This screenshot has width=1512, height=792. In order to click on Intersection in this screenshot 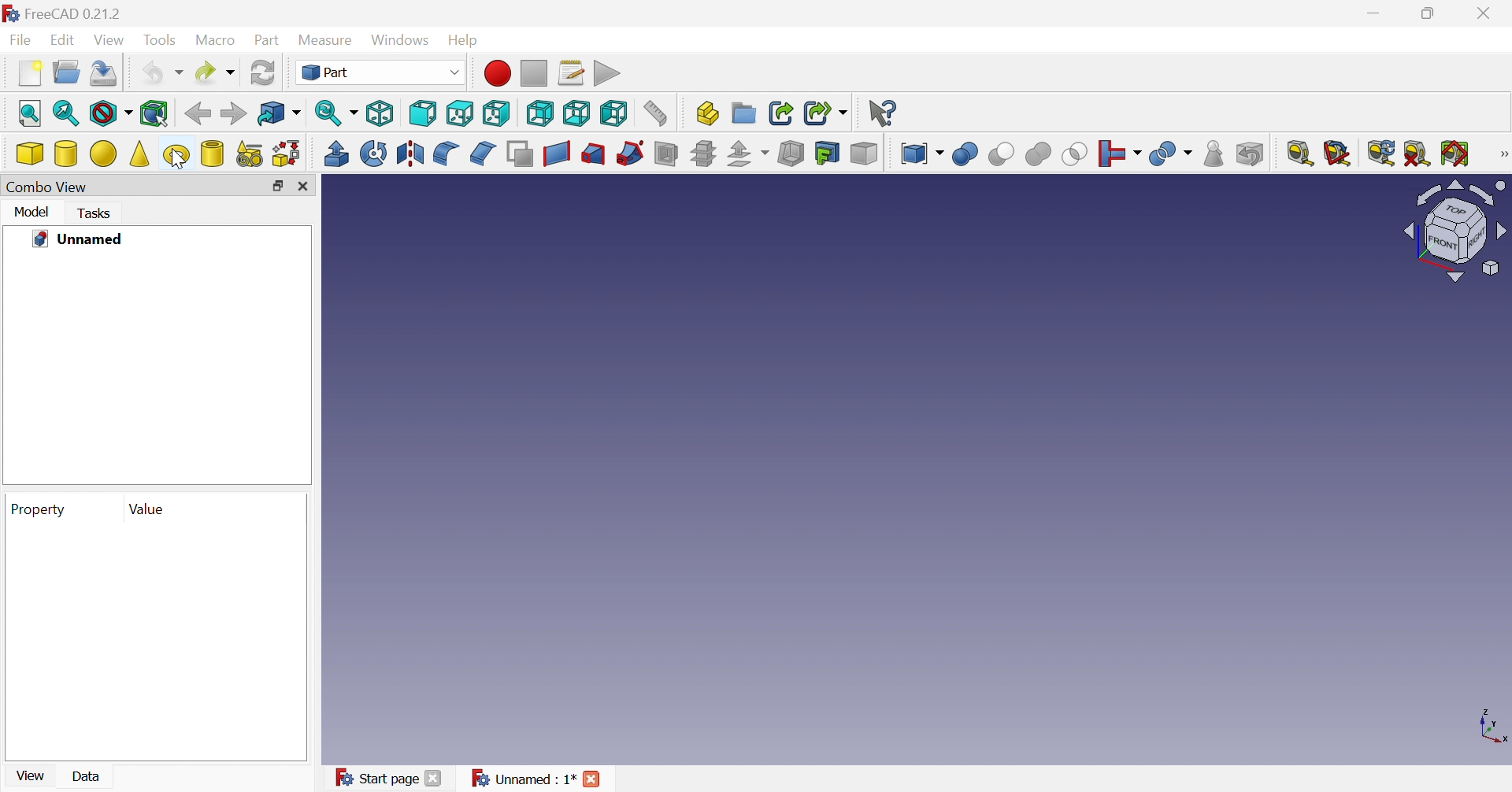, I will do `click(1076, 154)`.